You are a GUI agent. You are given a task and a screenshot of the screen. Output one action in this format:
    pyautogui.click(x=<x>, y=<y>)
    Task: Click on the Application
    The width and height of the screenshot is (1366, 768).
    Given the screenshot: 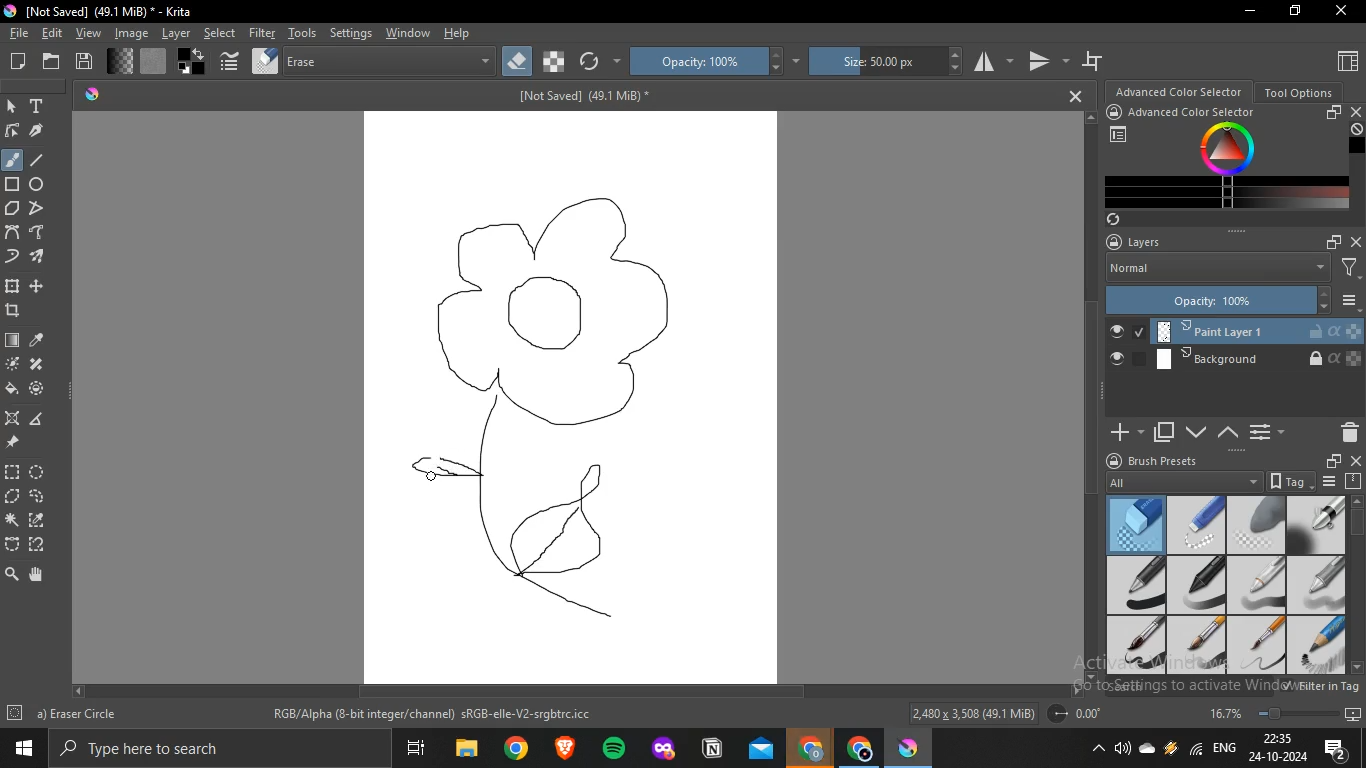 What is the action you would take?
    pyautogui.click(x=463, y=749)
    